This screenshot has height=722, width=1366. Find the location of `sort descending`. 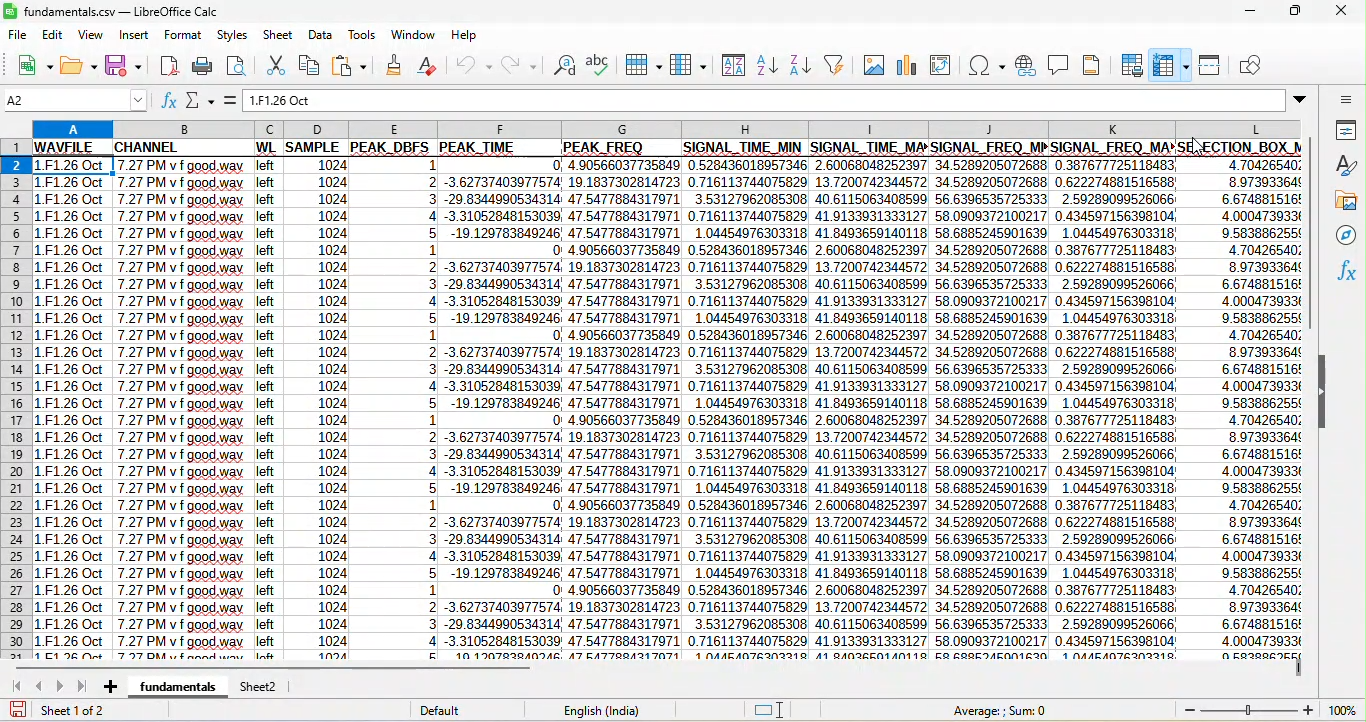

sort descending is located at coordinates (801, 63).